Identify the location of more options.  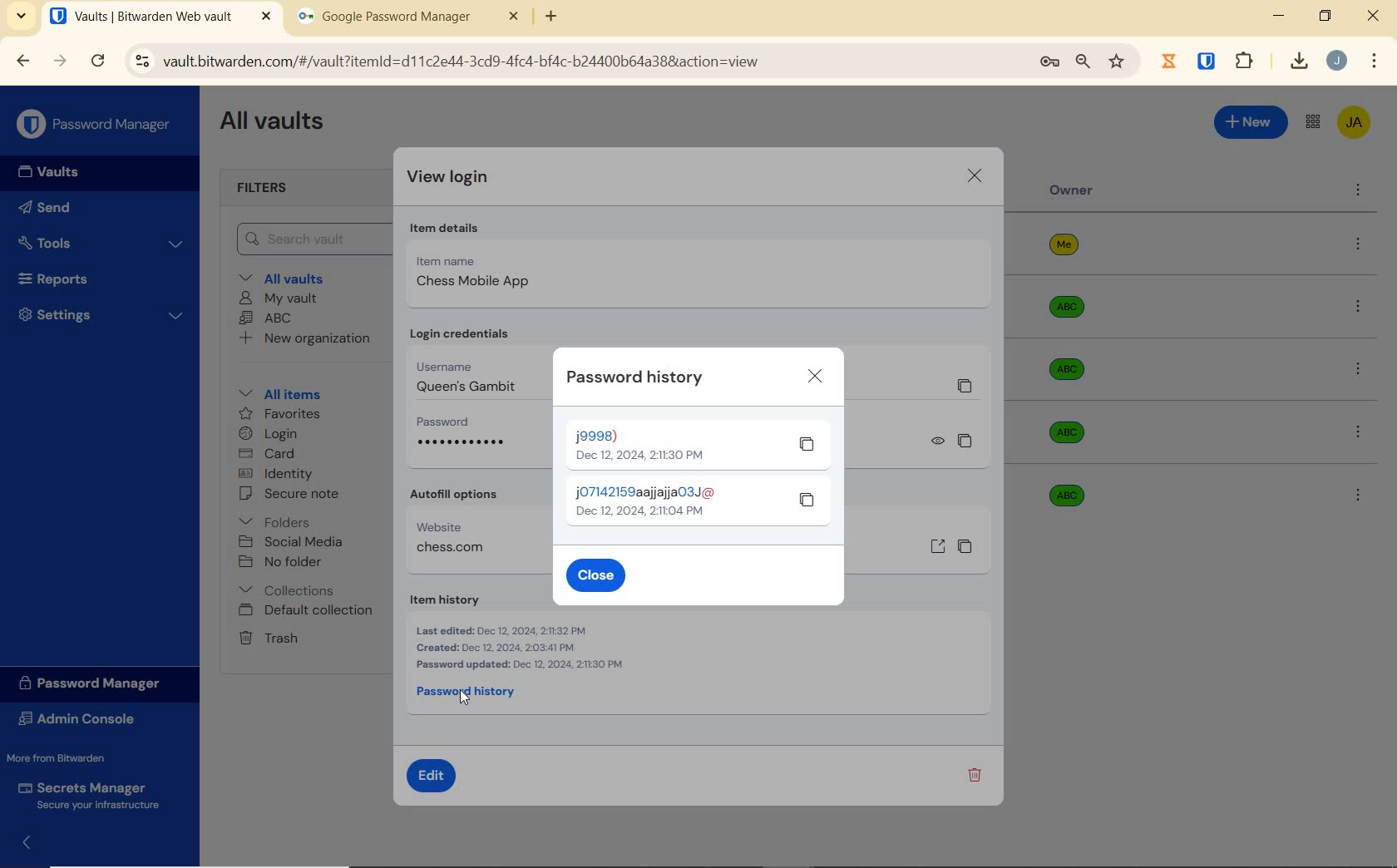
(1355, 367).